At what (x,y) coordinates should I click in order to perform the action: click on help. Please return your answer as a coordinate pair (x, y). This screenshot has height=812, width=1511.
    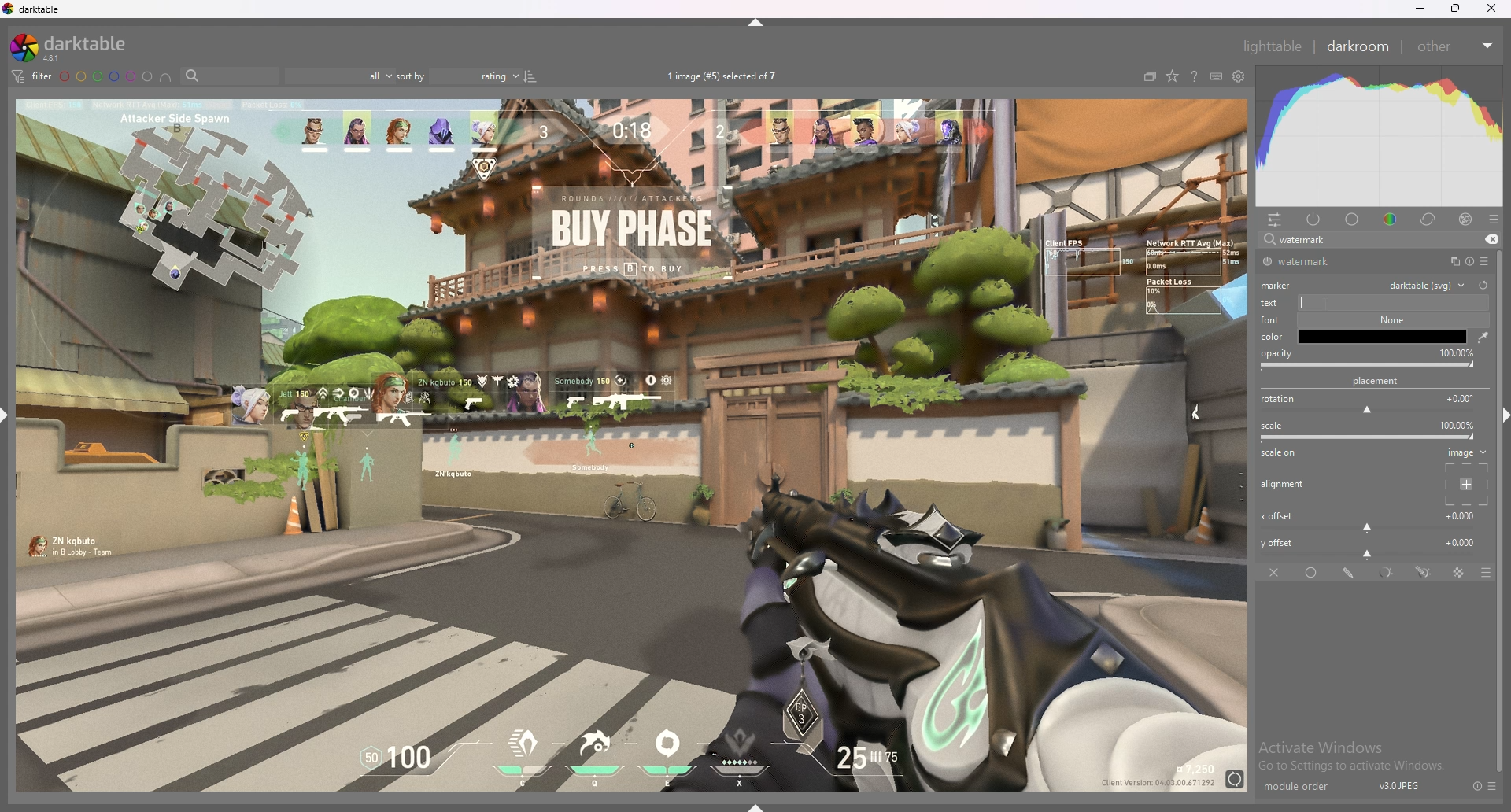
    Looking at the image, I should click on (1194, 78).